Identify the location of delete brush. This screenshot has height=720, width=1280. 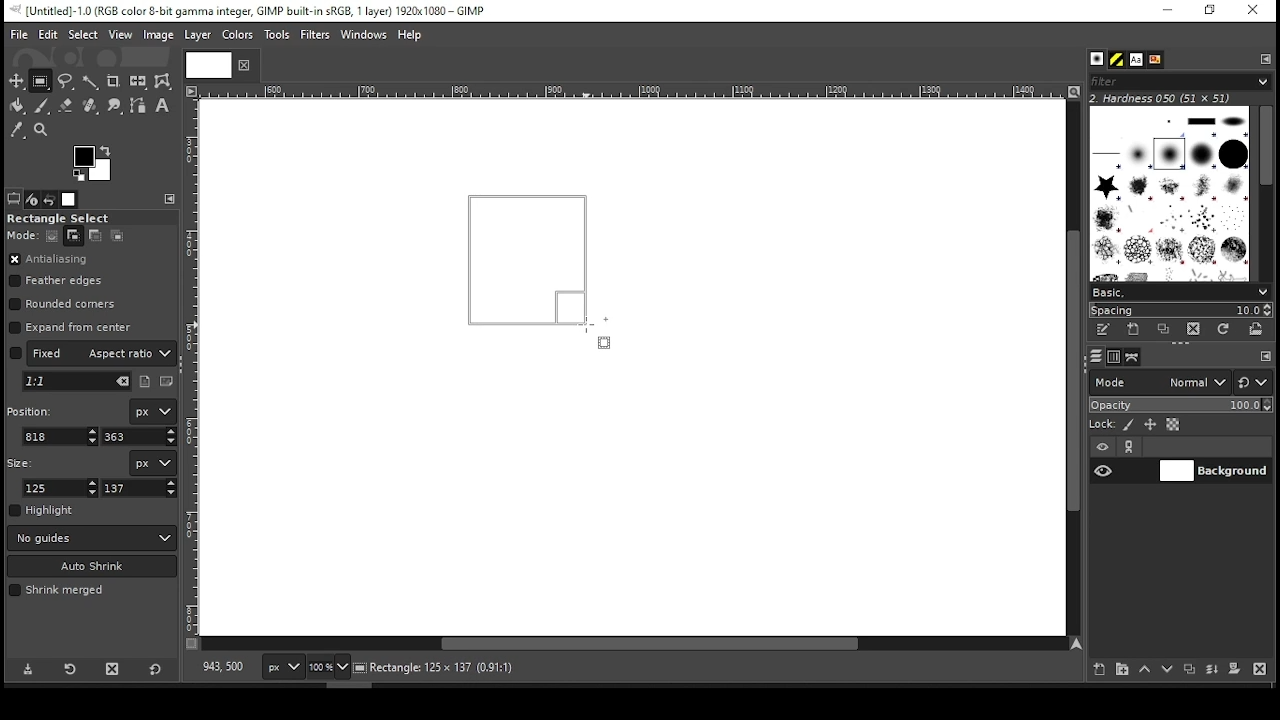
(1196, 330).